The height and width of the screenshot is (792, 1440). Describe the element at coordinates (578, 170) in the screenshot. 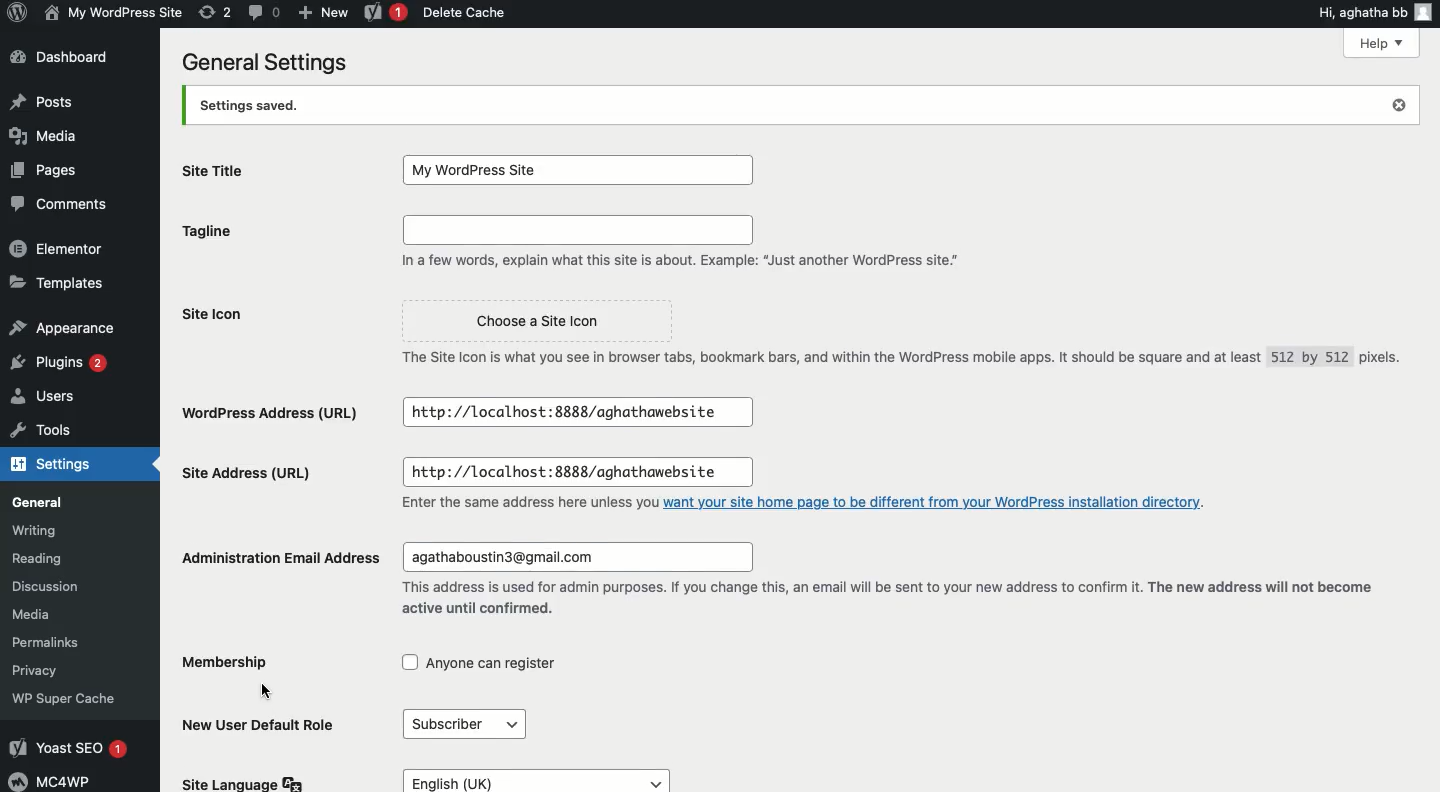

I see `My wordpress site` at that location.